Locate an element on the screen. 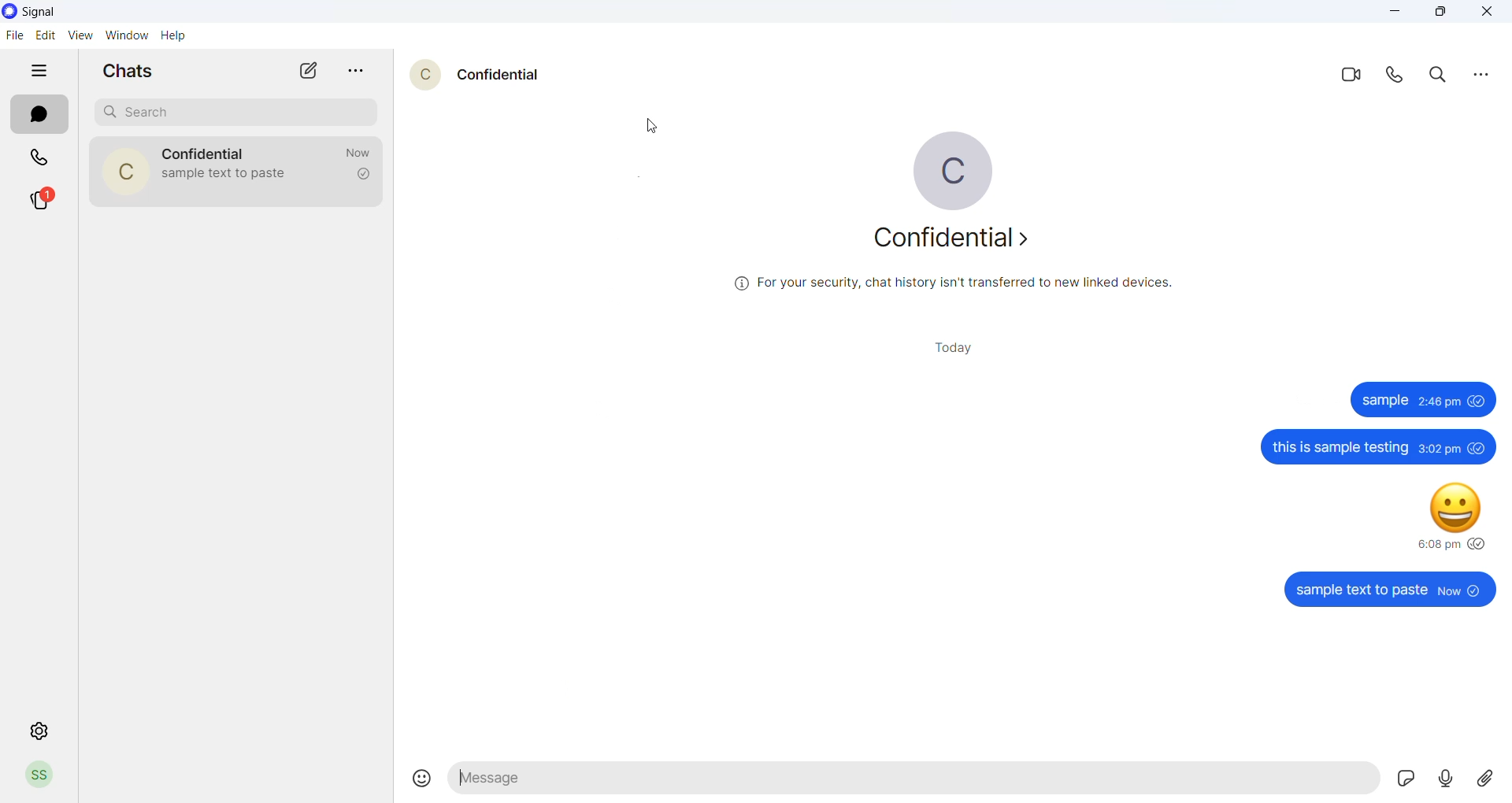 The height and width of the screenshot is (803, 1512). profile picture is located at coordinates (951, 168).